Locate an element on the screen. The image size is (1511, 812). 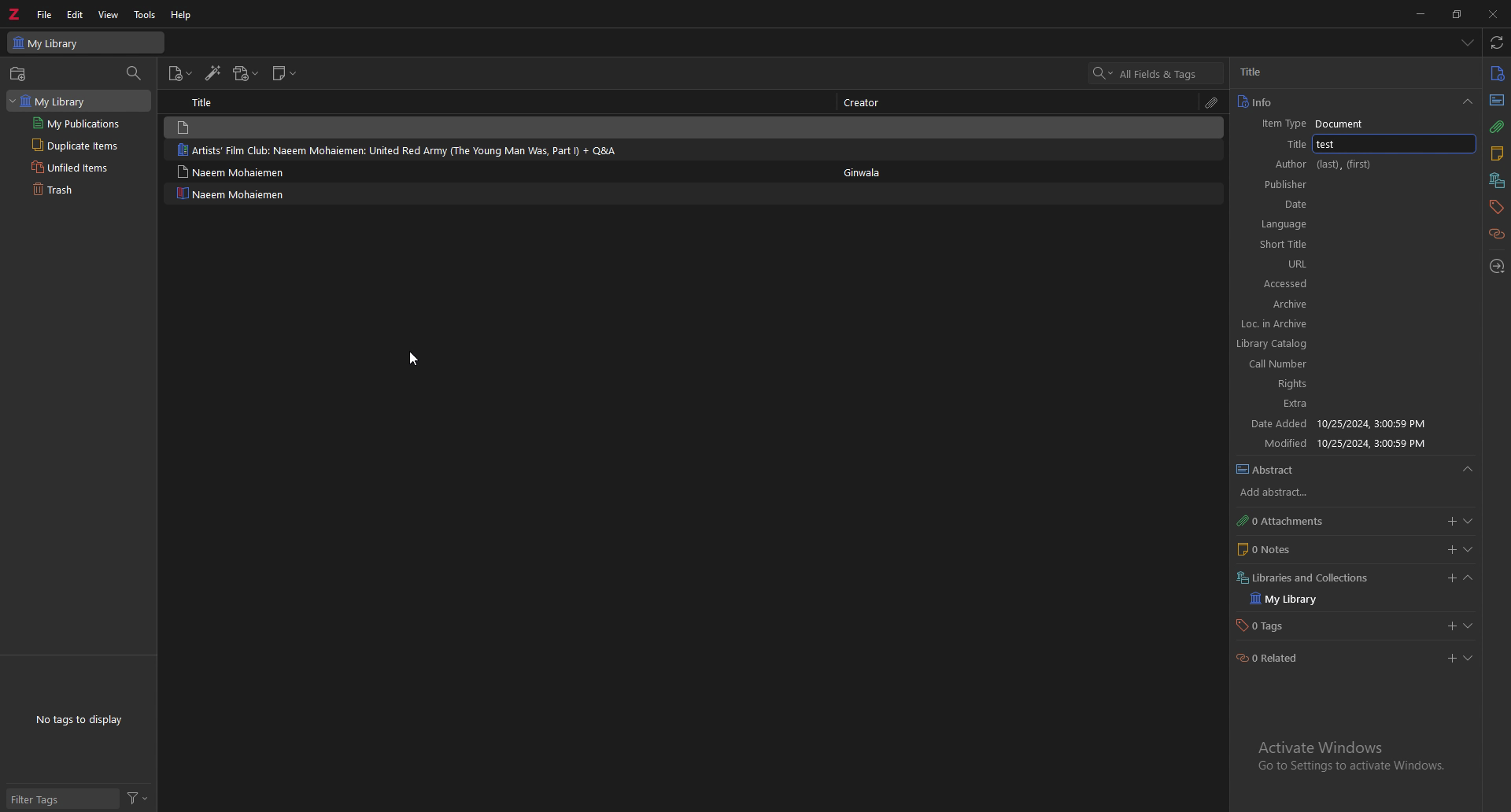
modified is located at coordinates (1278, 623).